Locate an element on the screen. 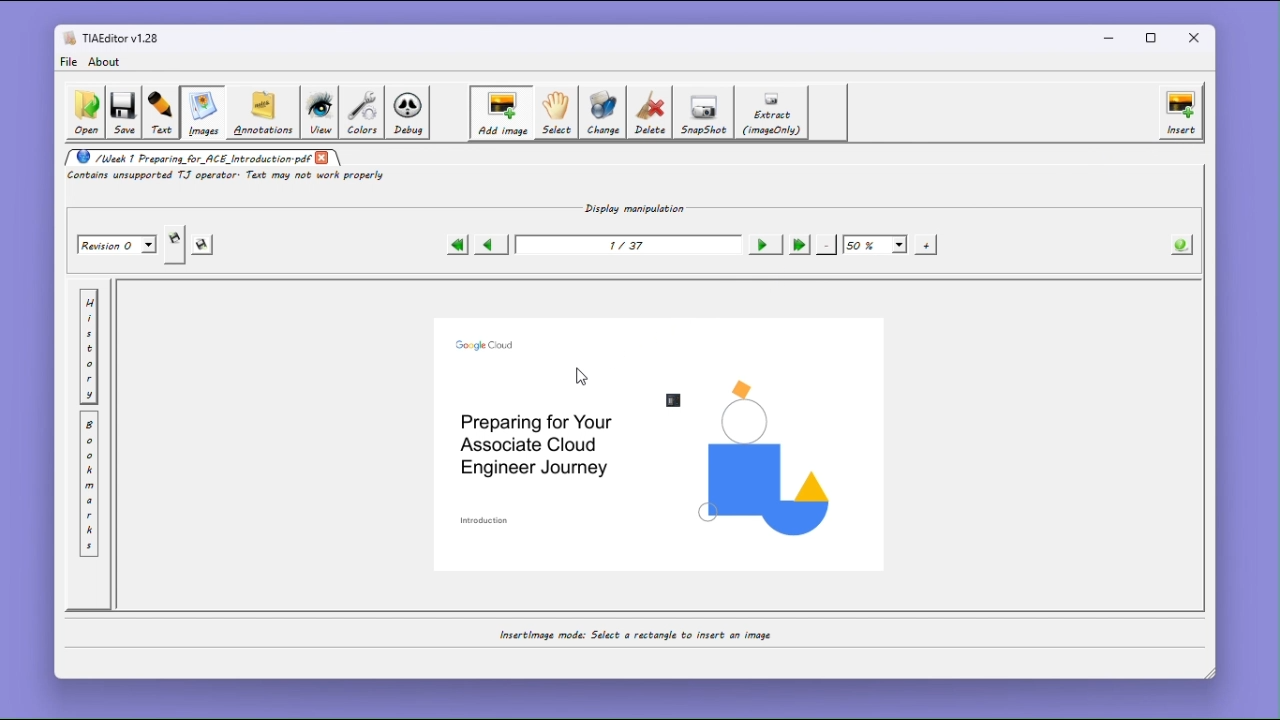  1/37 is located at coordinates (625, 246).